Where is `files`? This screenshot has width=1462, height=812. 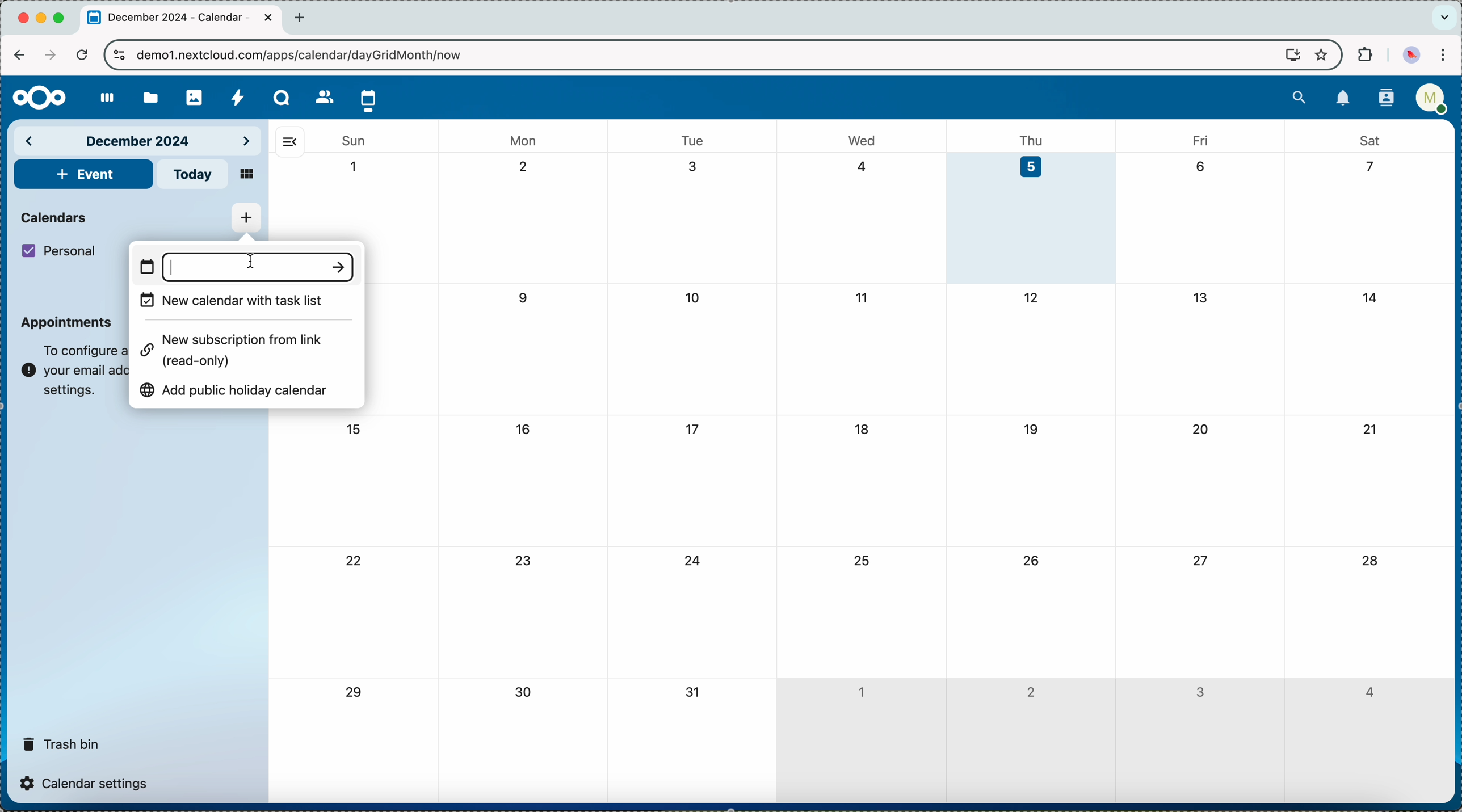 files is located at coordinates (149, 96).